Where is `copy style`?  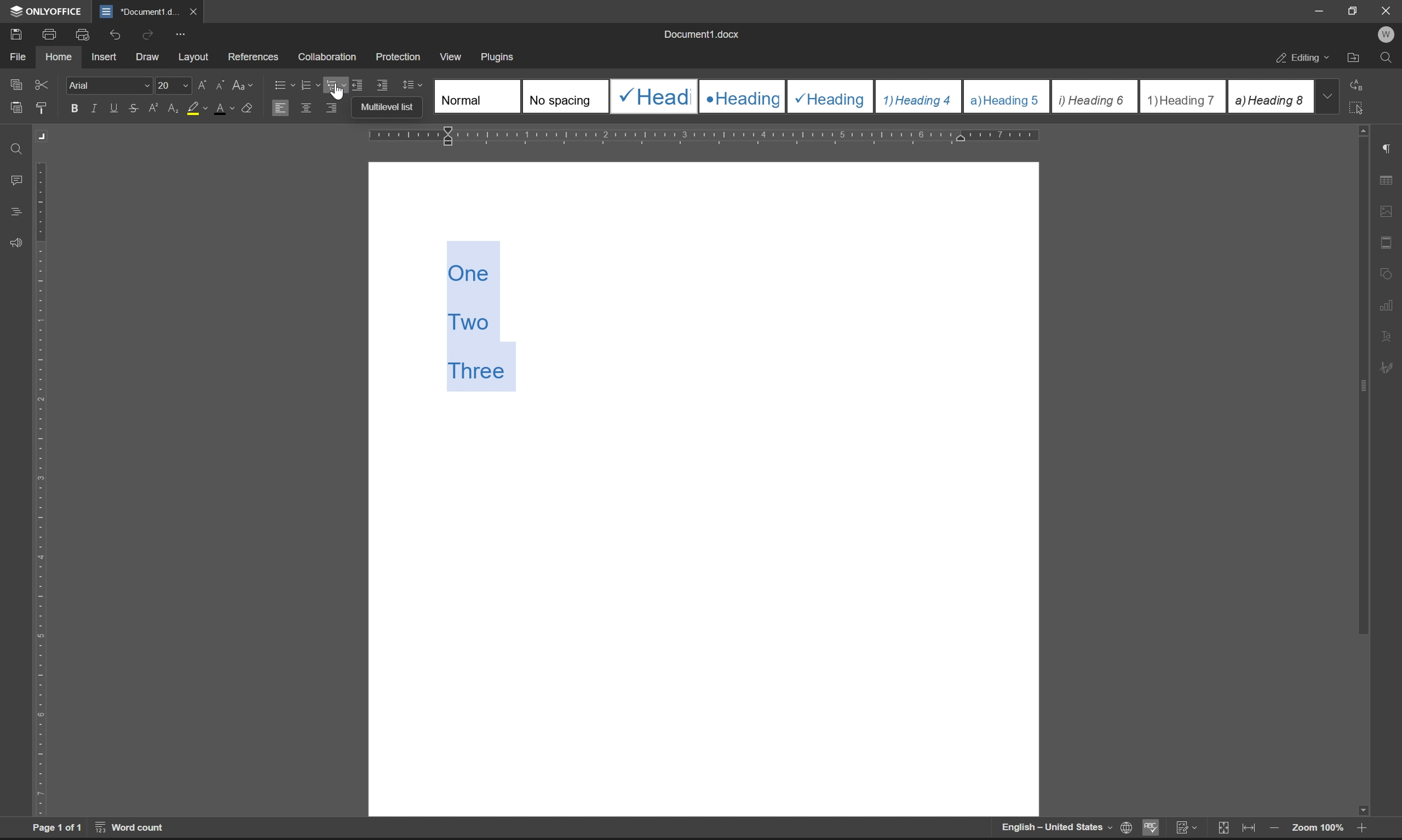
copy style is located at coordinates (41, 109).